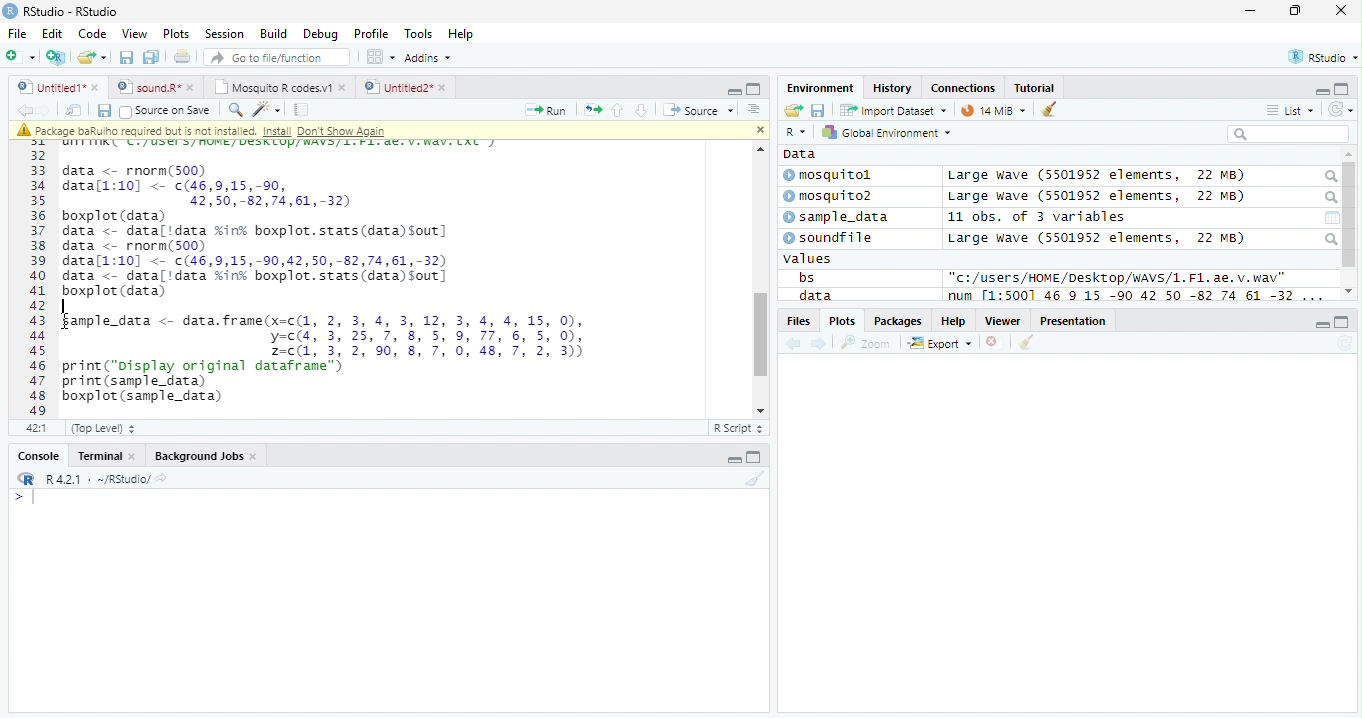 This screenshot has height=718, width=1362. Describe the element at coordinates (37, 278) in the screenshot. I see `Numbering line` at that location.